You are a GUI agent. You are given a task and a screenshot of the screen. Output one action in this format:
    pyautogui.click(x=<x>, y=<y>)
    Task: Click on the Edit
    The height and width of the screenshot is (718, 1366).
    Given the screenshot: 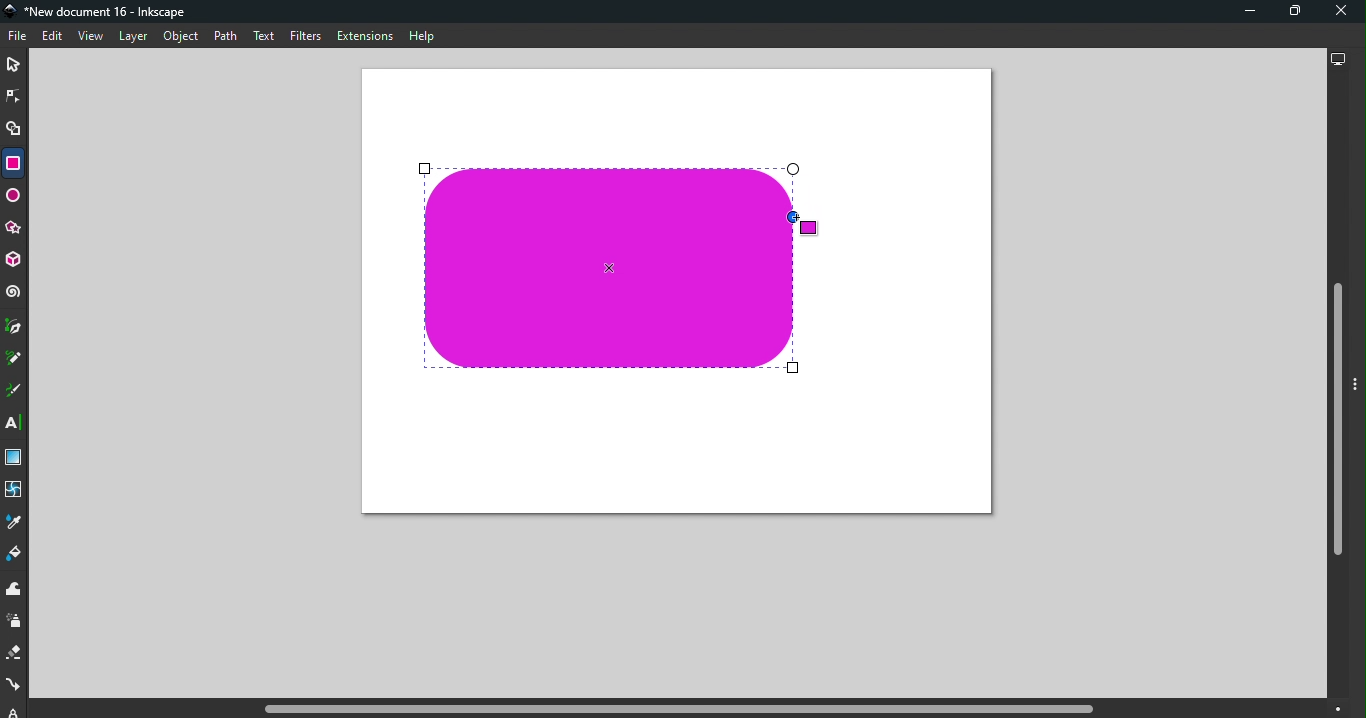 What is the action you would take?
    pyautogui.click(x=51, y=37)
    